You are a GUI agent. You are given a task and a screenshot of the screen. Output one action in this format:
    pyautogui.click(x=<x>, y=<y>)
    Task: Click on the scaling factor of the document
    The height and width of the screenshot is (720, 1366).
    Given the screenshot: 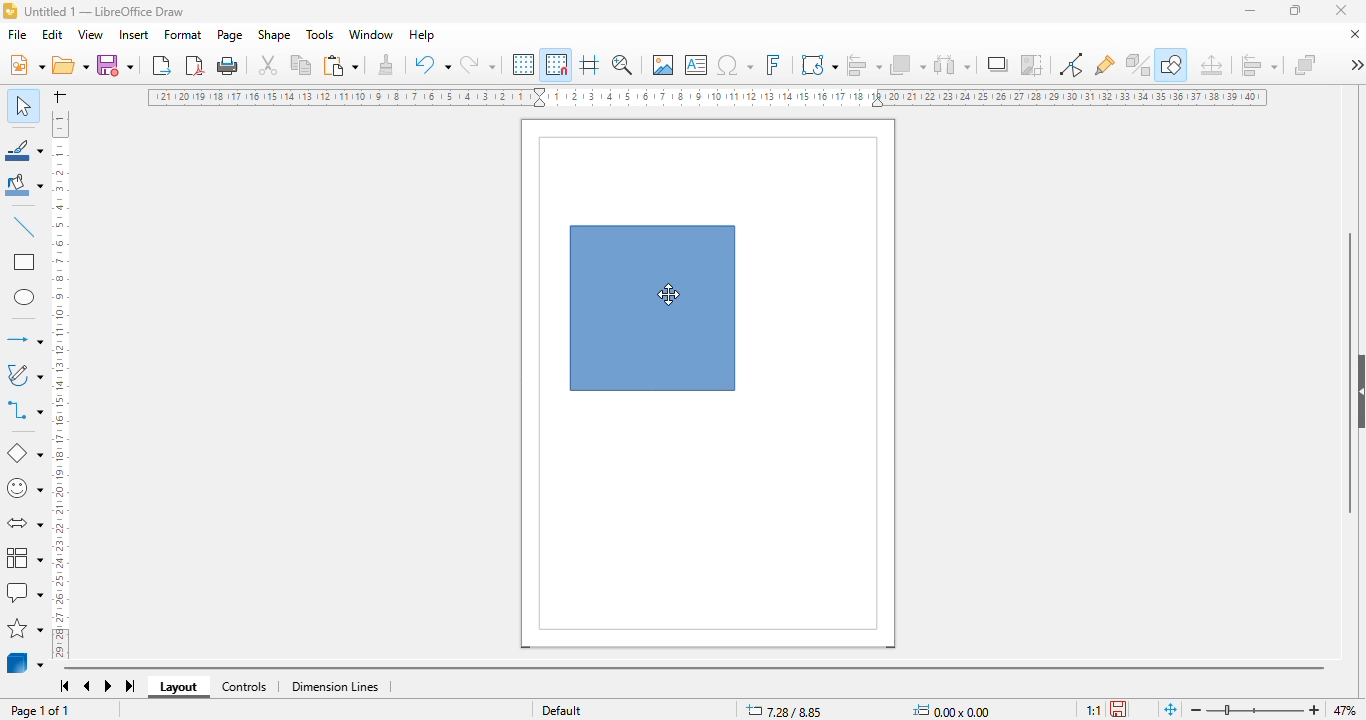 What is the action you would take?
    pyautogui.click(x=1093, y=709)
    